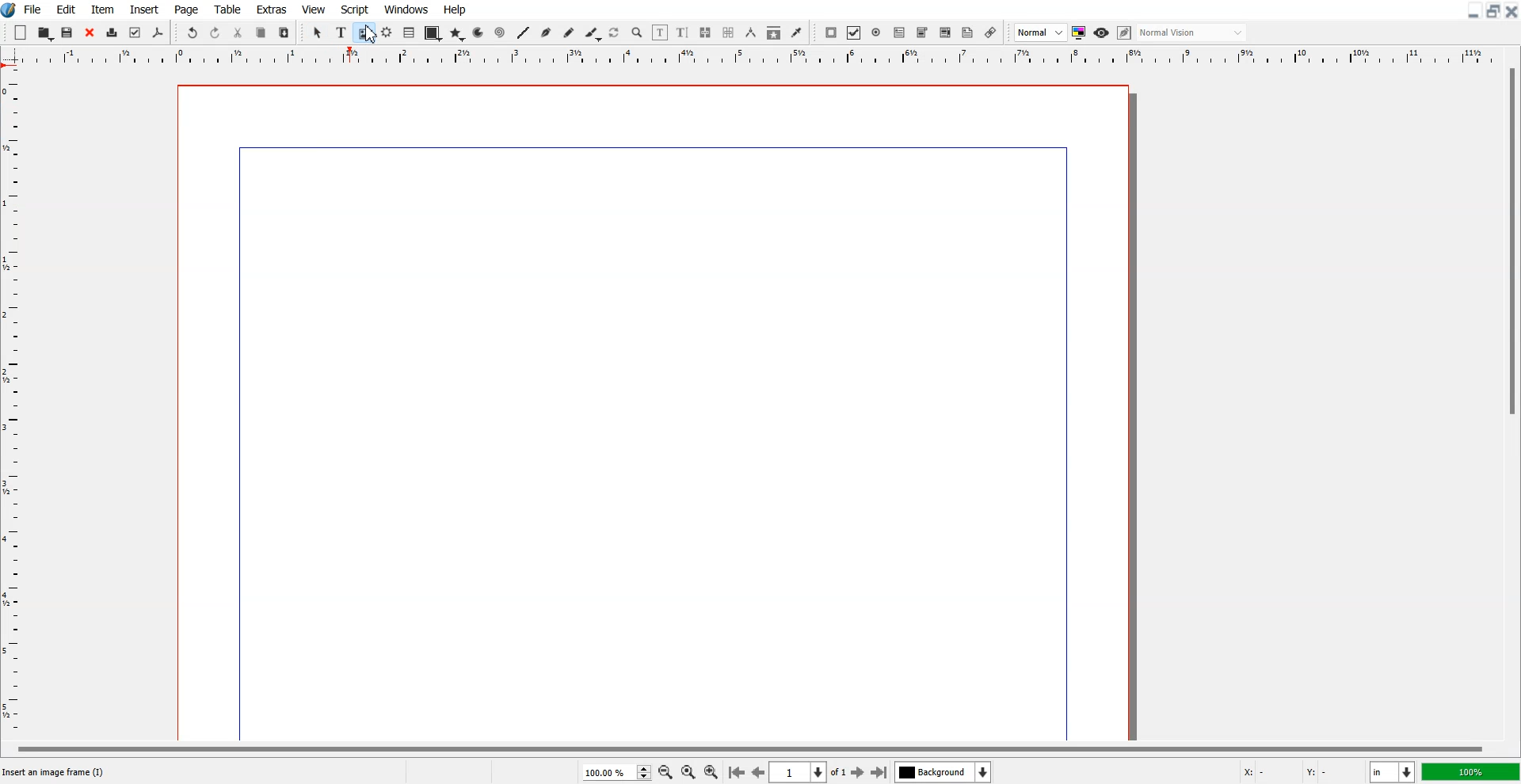 This screenshot has width=1521, height=784. I want to click on Render frame, so click(387, 32).